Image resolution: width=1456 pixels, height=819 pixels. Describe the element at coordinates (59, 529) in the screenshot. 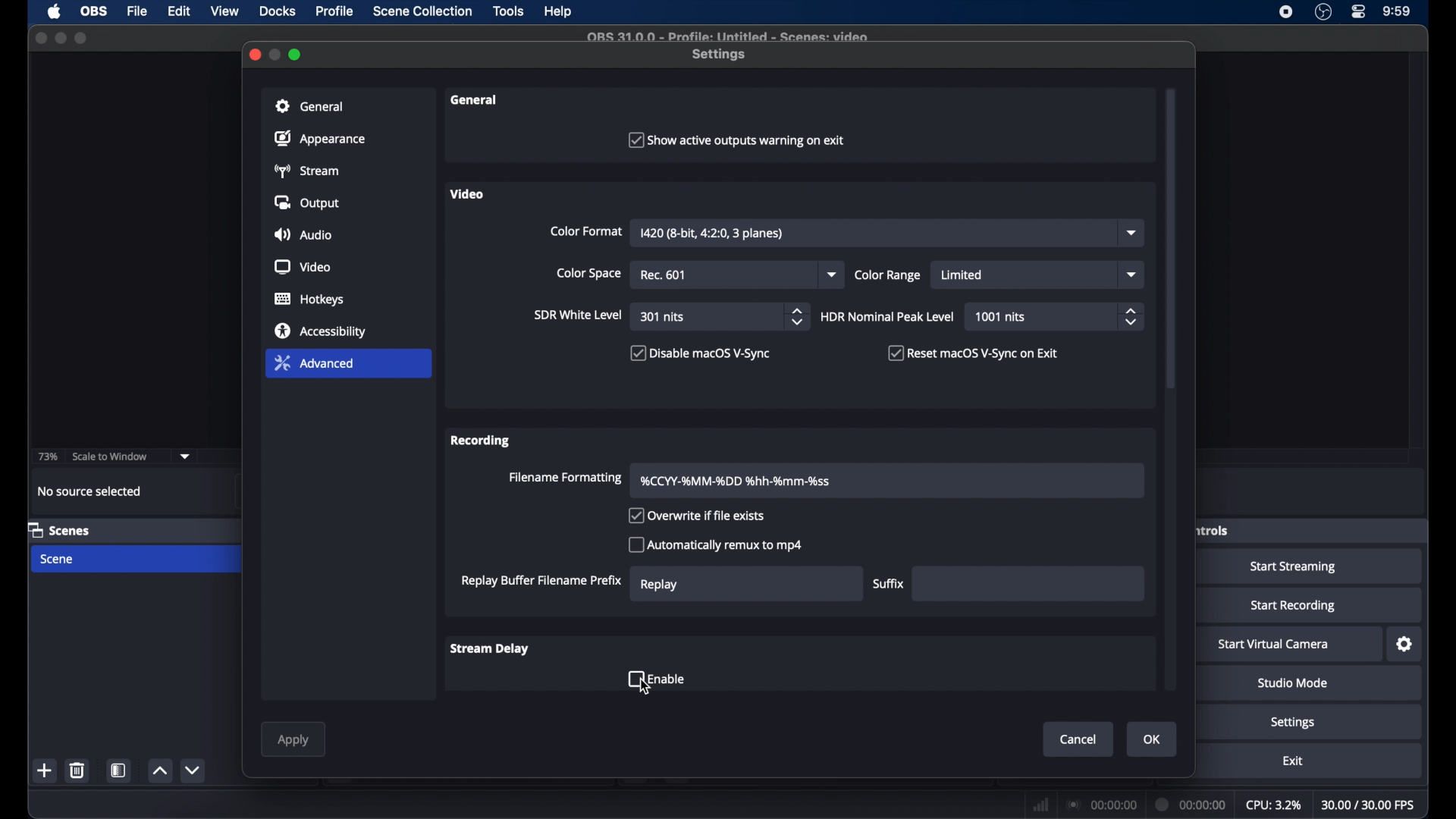

I see `scenes` at that location.